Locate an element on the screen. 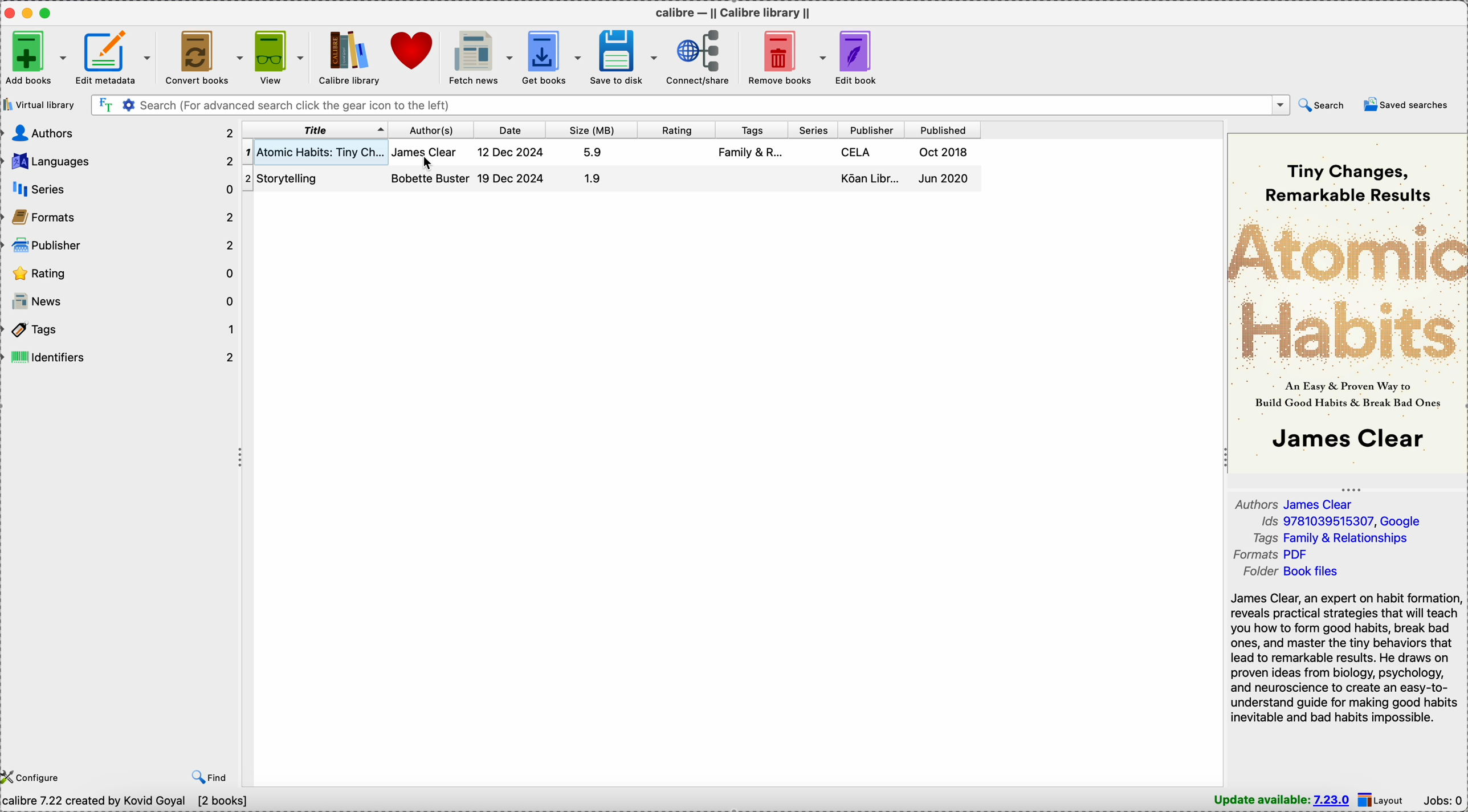  tags Family & Relationships is located at coordinates (1331, 537).